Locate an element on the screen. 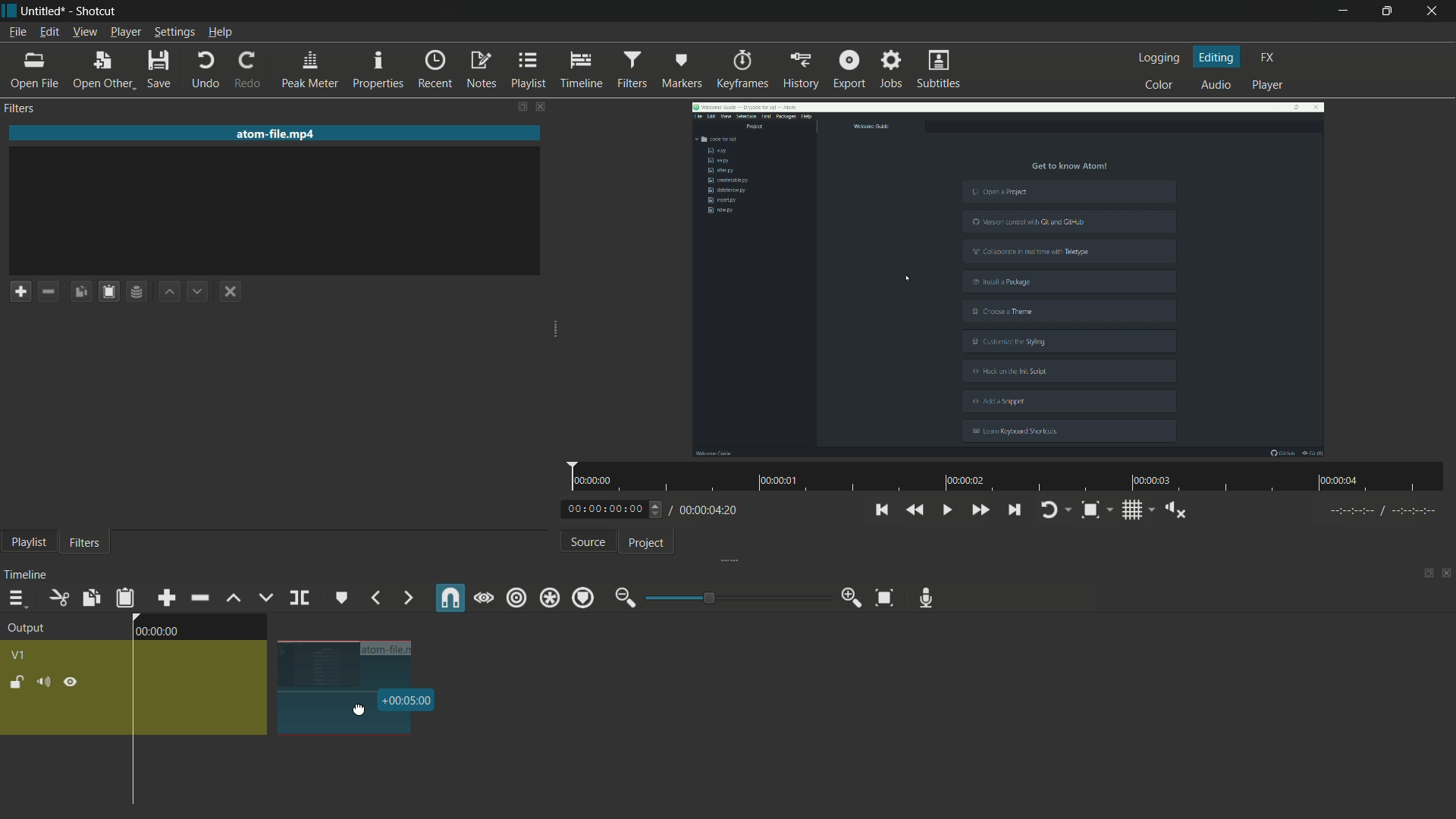 The height and width of the screenshot is (819, 1456). save filter set is located at coordinates (136, 293).